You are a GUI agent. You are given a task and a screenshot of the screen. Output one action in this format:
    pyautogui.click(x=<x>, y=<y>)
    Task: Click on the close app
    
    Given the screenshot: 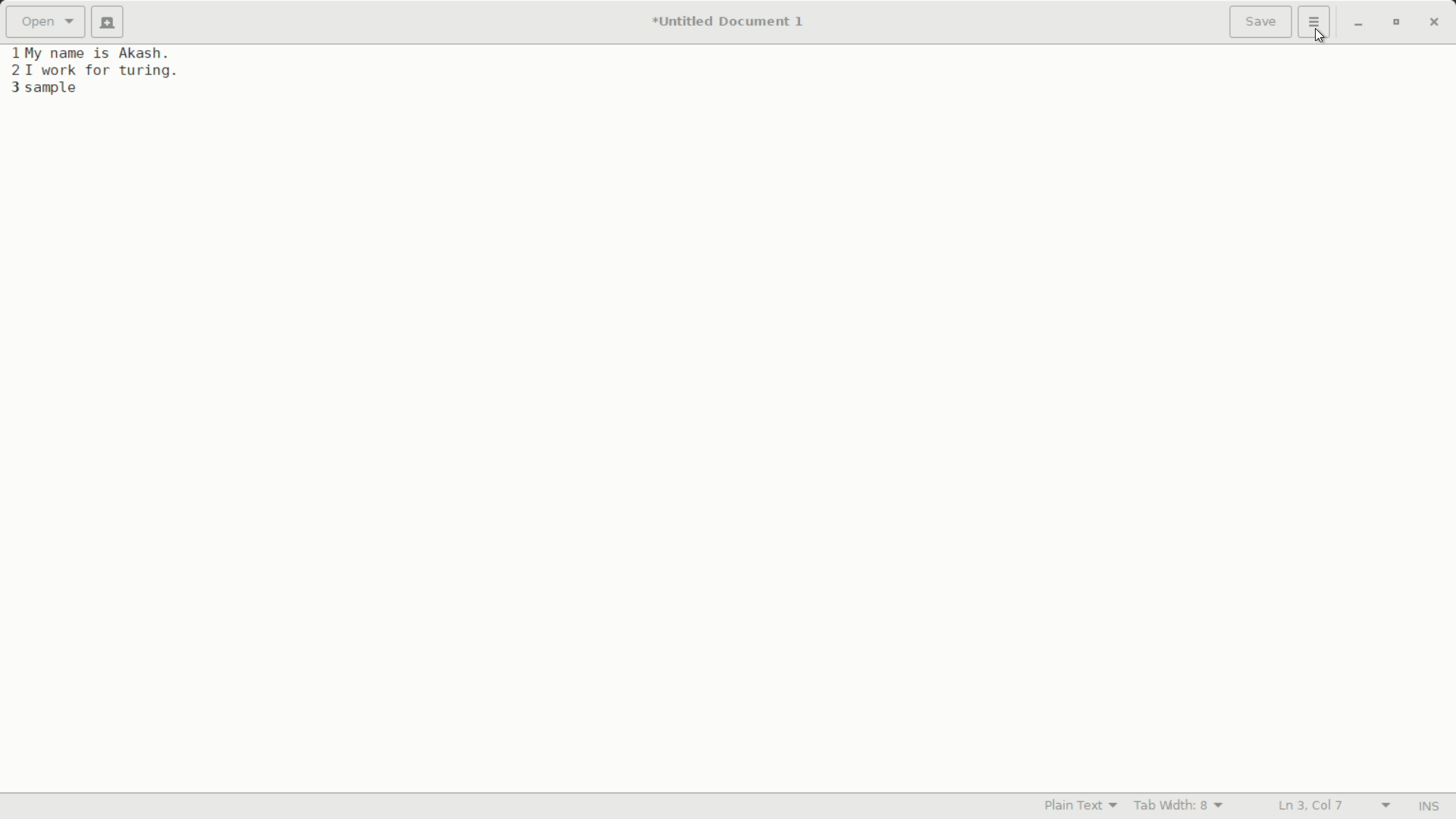 What is the action you would take?
    pyautogui.click(x=1434, y=22)
    